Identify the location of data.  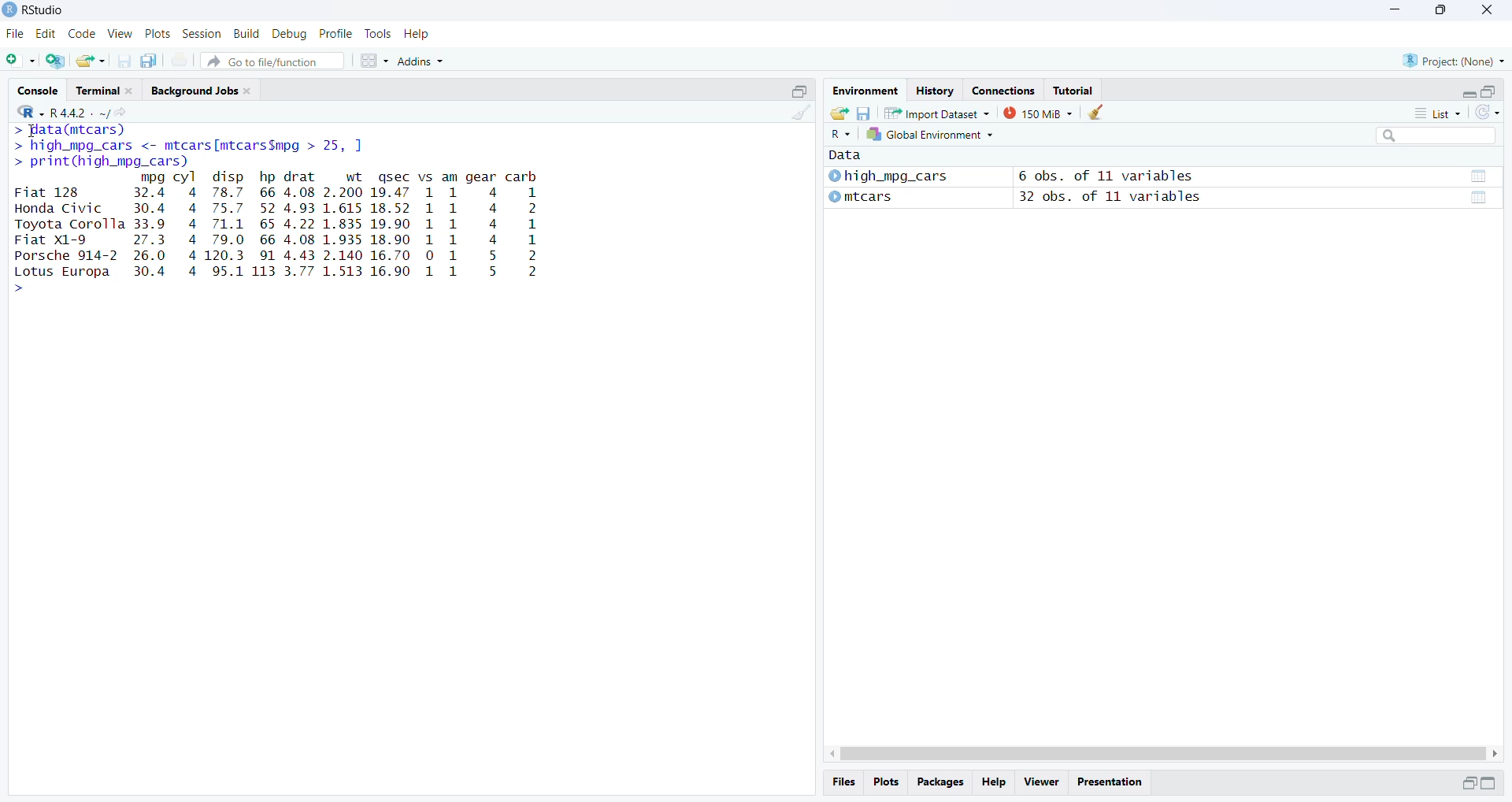
(1478, 199).